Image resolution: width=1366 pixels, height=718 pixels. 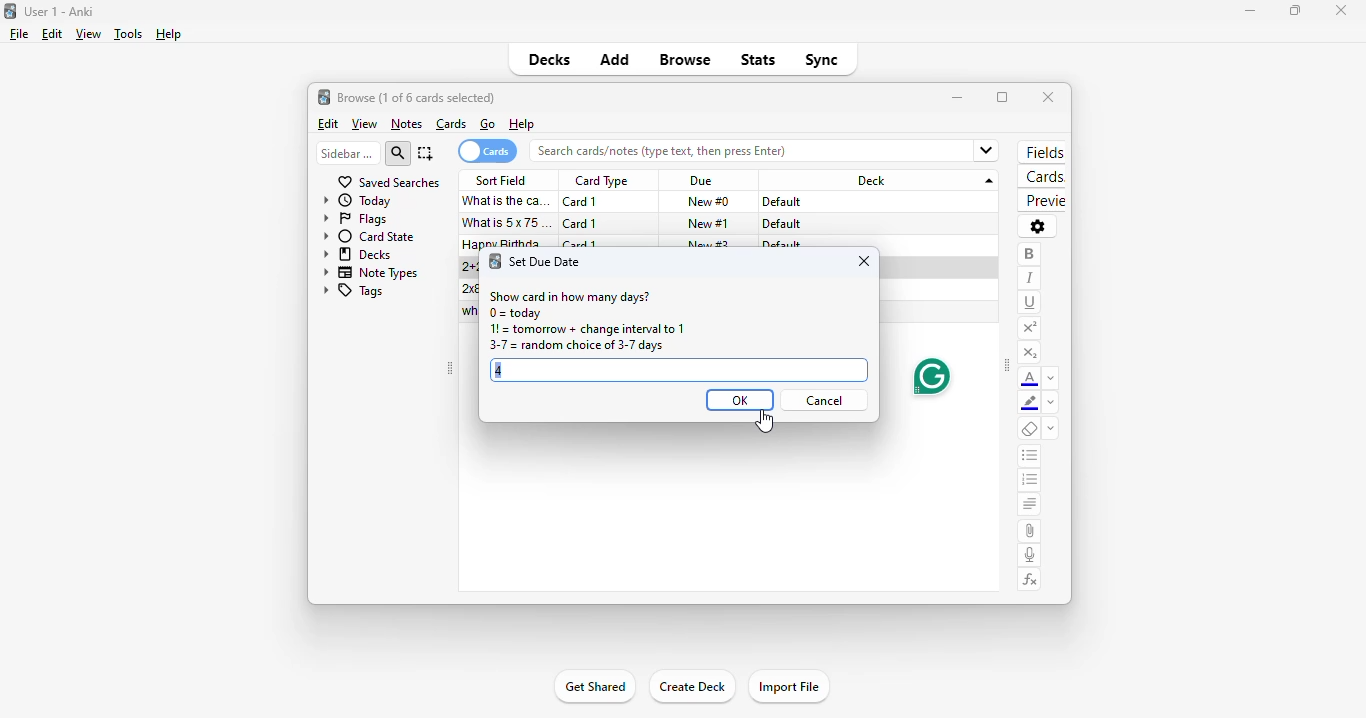 I want to click on default, so click(x=783, y=202).